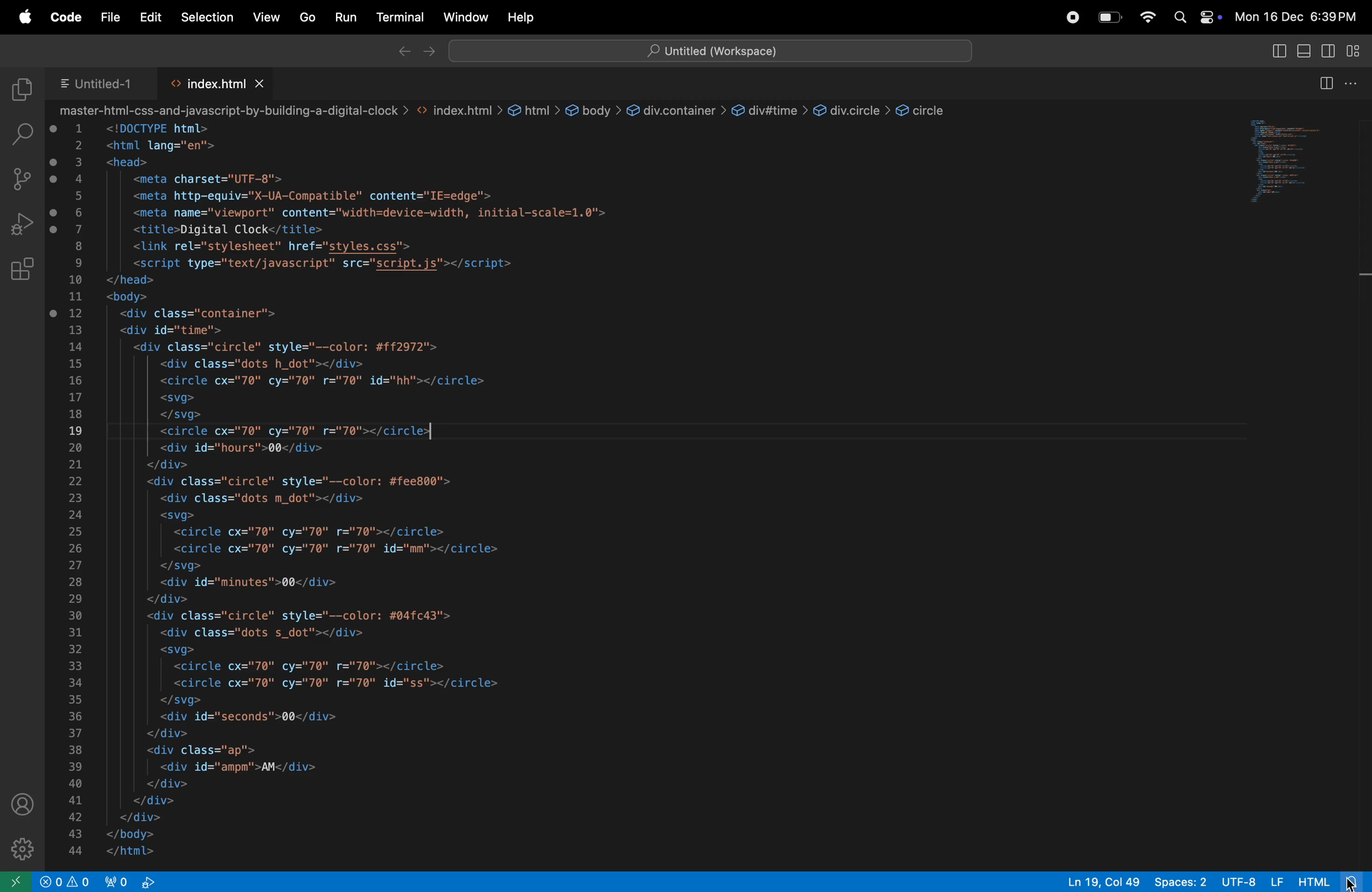  What do you see at coordinates (67, 881) in the screenshot?
I see `problems` at bounding box center [67, 881].